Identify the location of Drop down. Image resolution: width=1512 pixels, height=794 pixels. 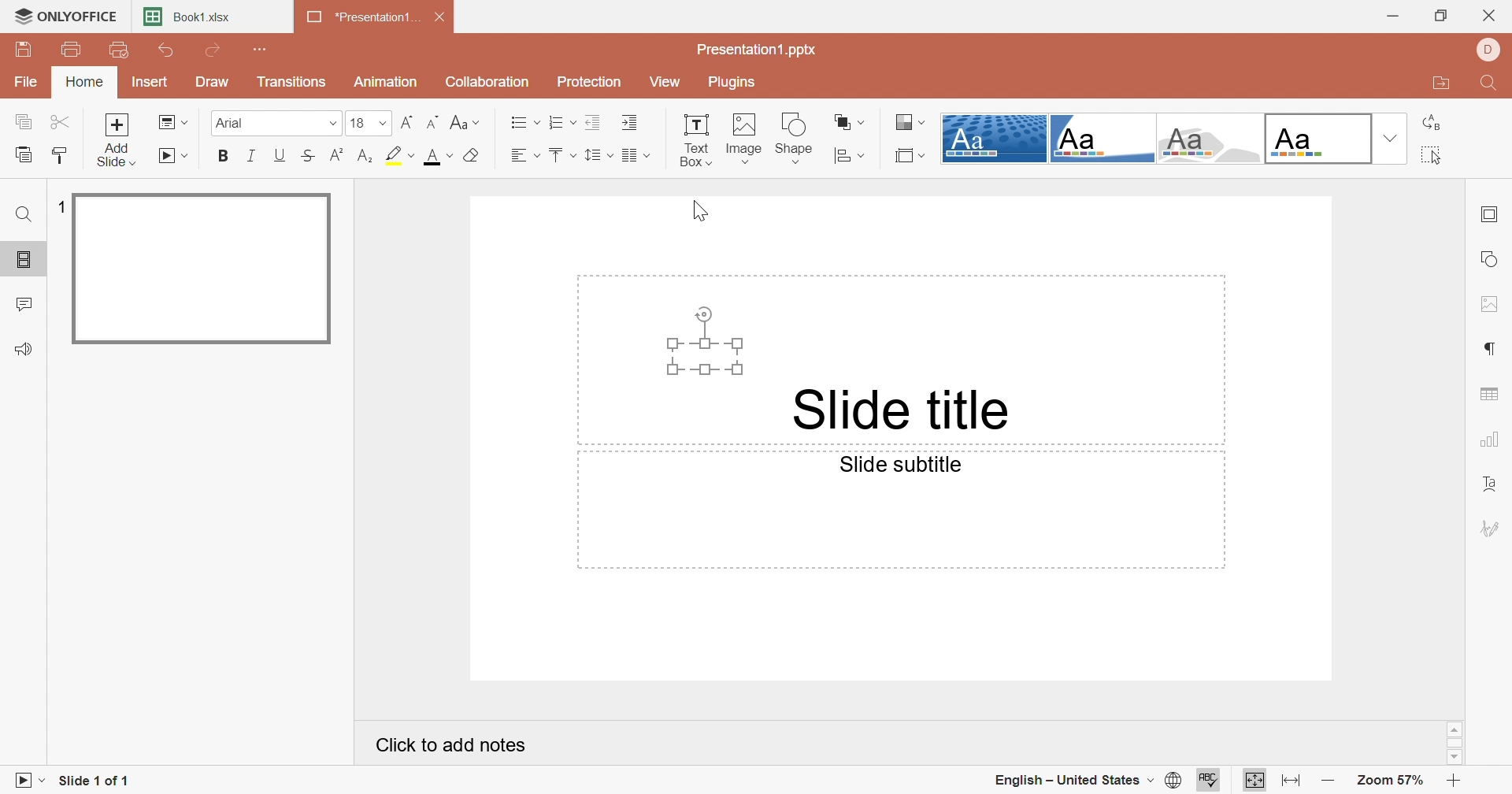
(1389, 138).